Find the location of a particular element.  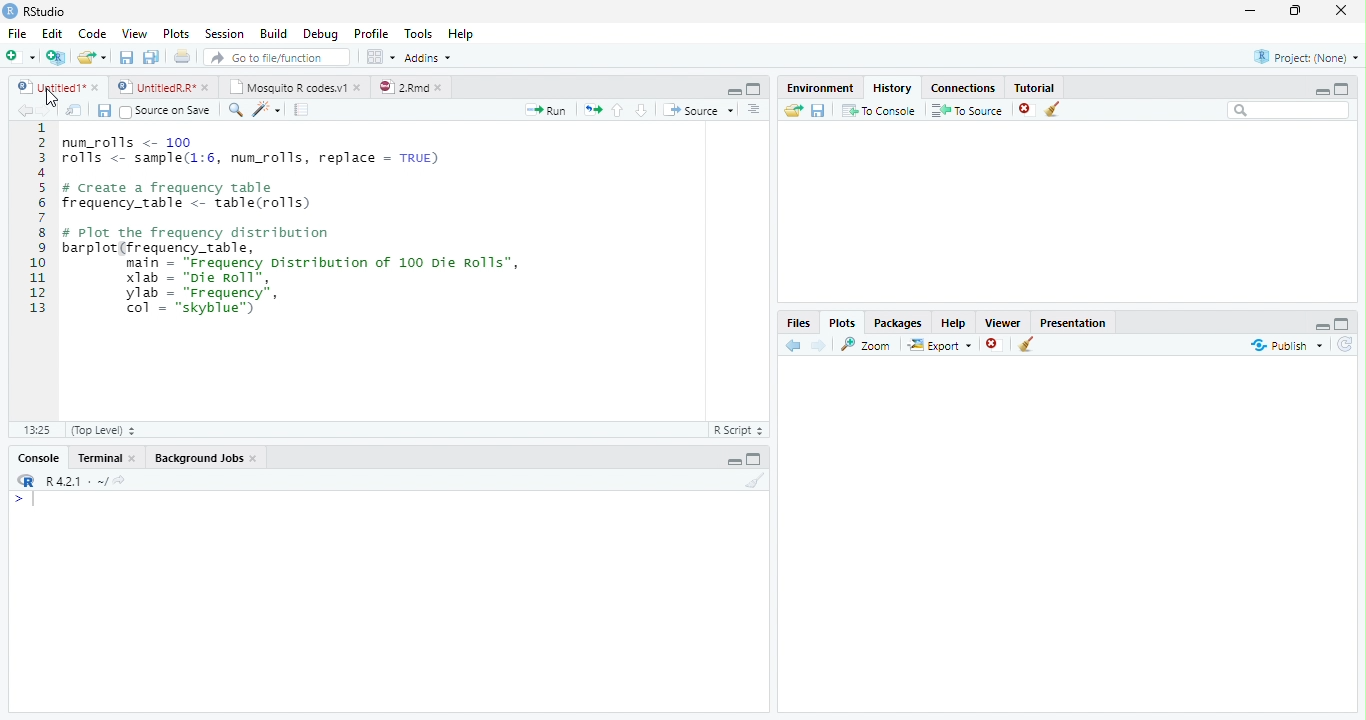

Tools is located at coordinates (420, 33).